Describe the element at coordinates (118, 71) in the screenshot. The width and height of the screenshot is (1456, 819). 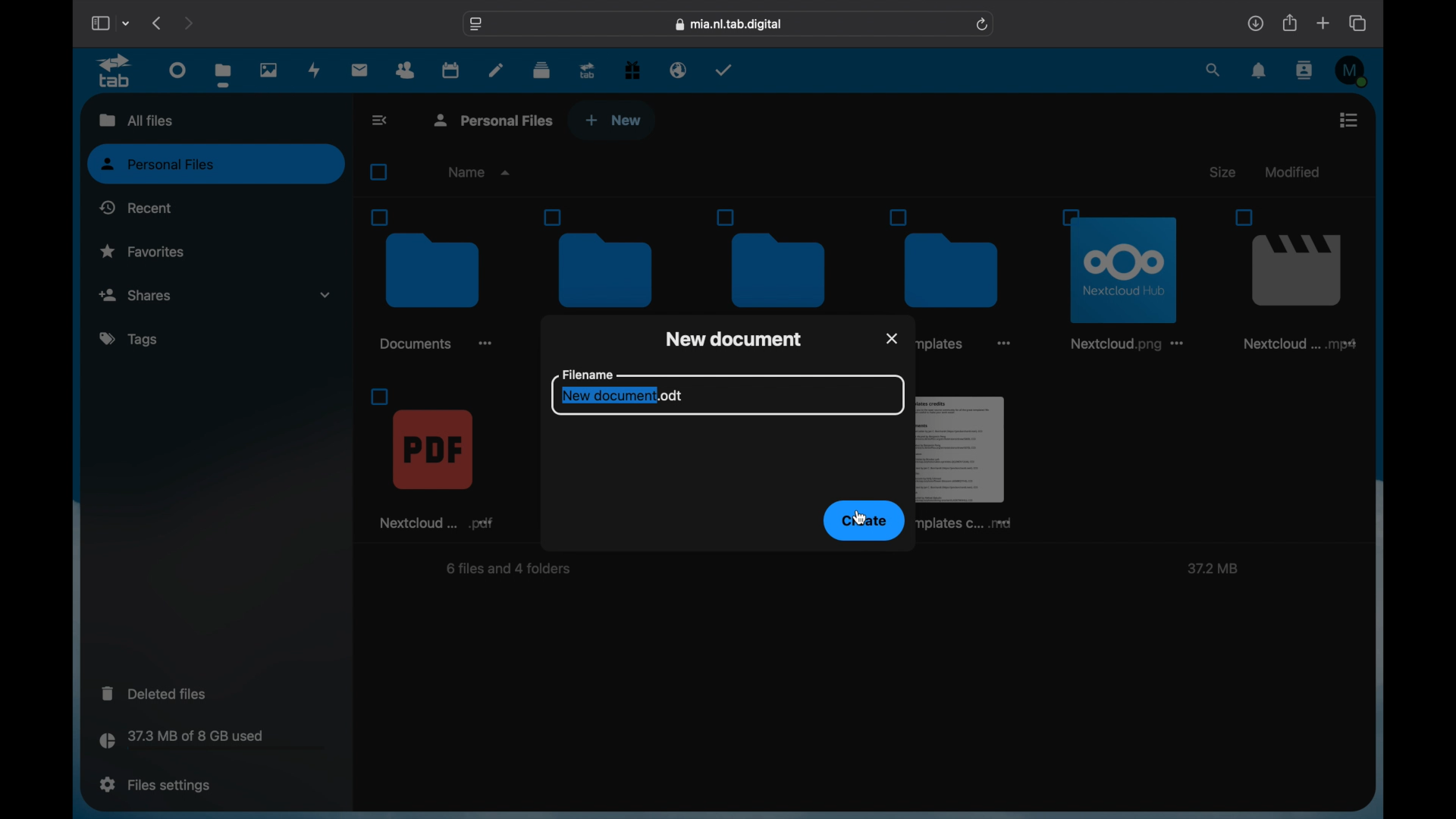
I see `tab` at that location.